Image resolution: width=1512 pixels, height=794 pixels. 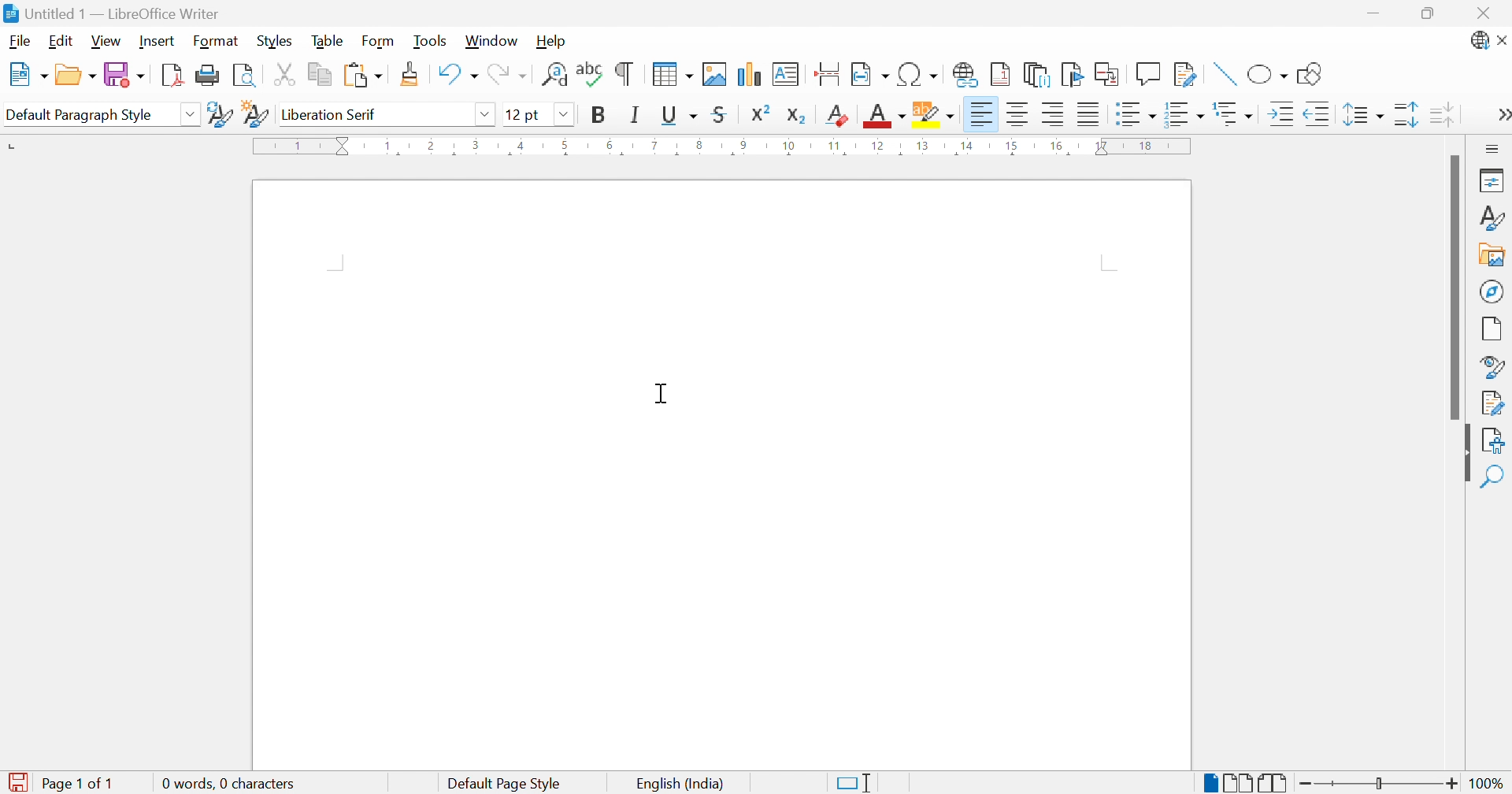 What do you see at coordinates (552, 39) in the screenshot?
I see `Help` at bounding box center [552, 39].